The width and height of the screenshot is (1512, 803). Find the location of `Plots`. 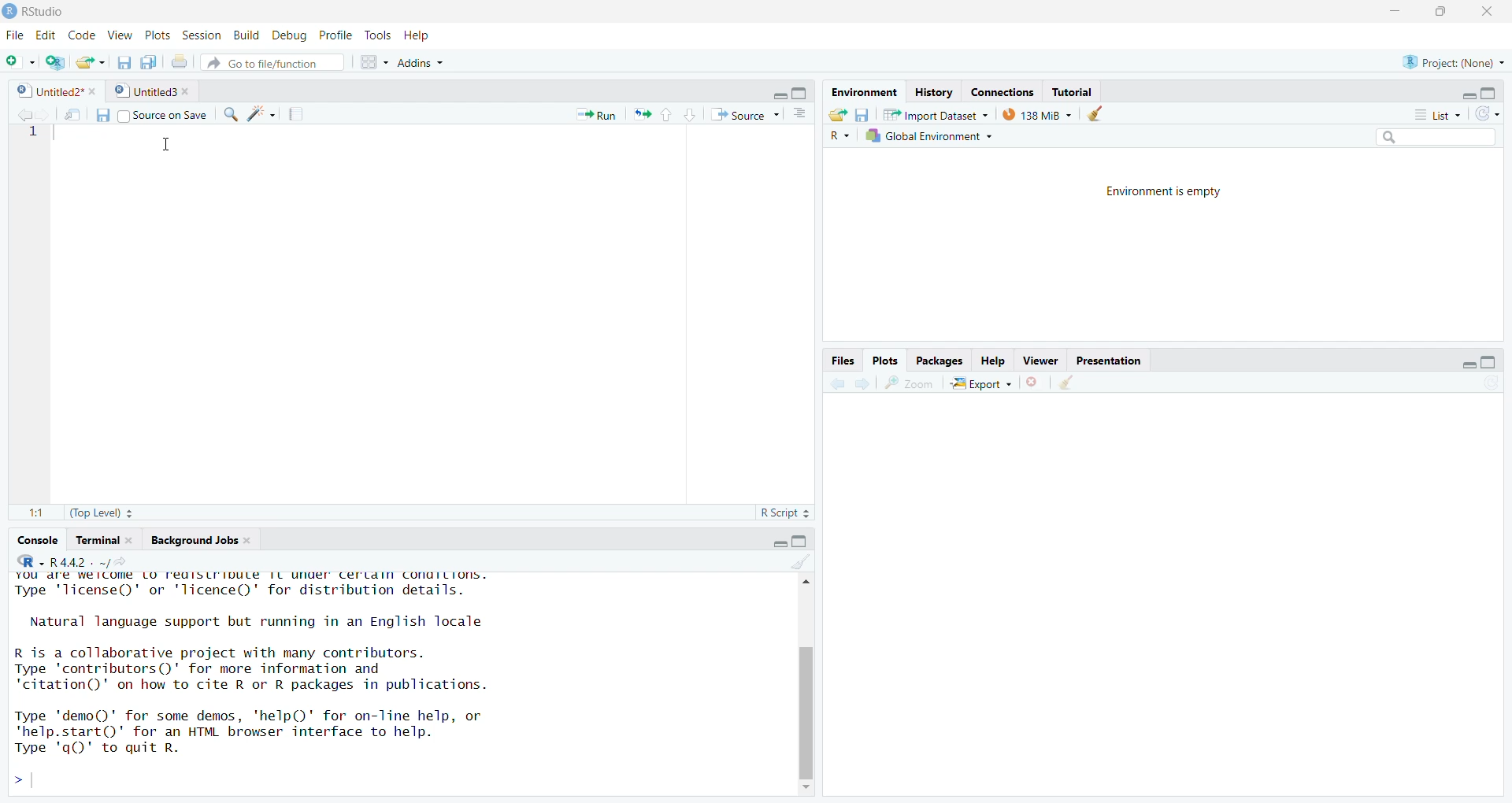

Plots is located at coordinates (886, 358).